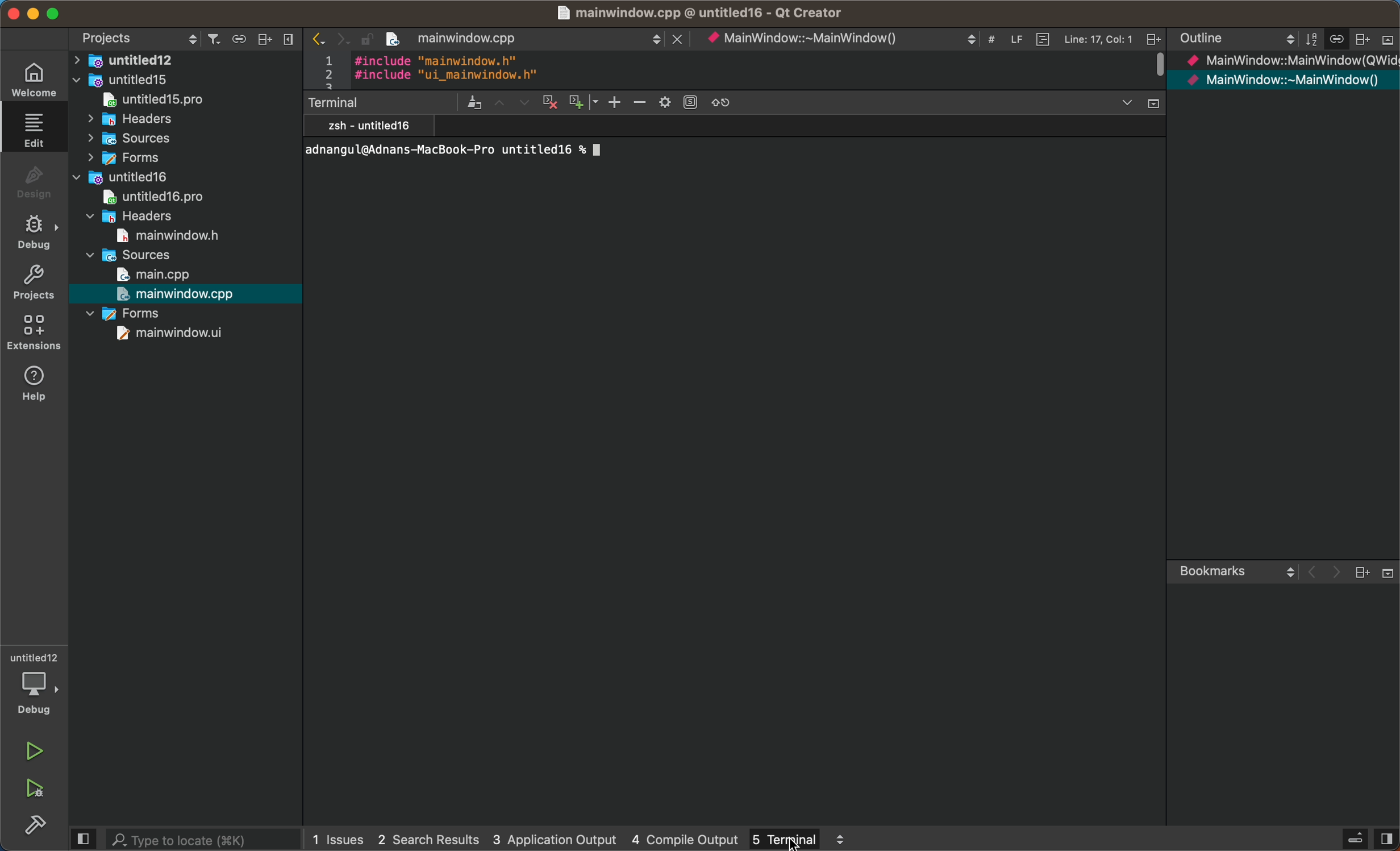 This screenshot has height=851, width=1400. Describe the element at coordinates (1281, 573) in the screenshot. I see `bookmarks` at that location.